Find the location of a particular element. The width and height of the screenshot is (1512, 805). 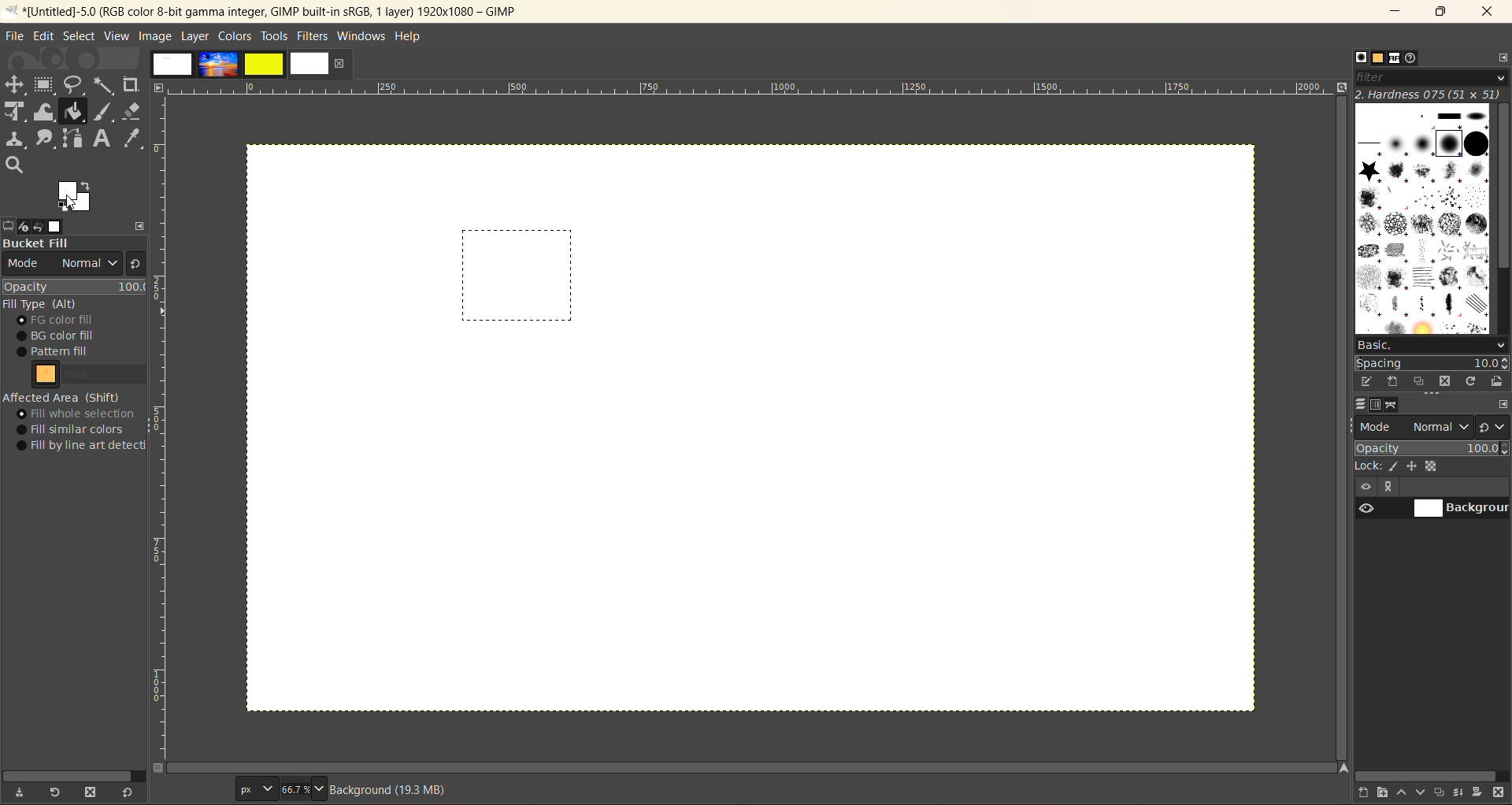

create a new layer is located at coordinates (1365, 793).